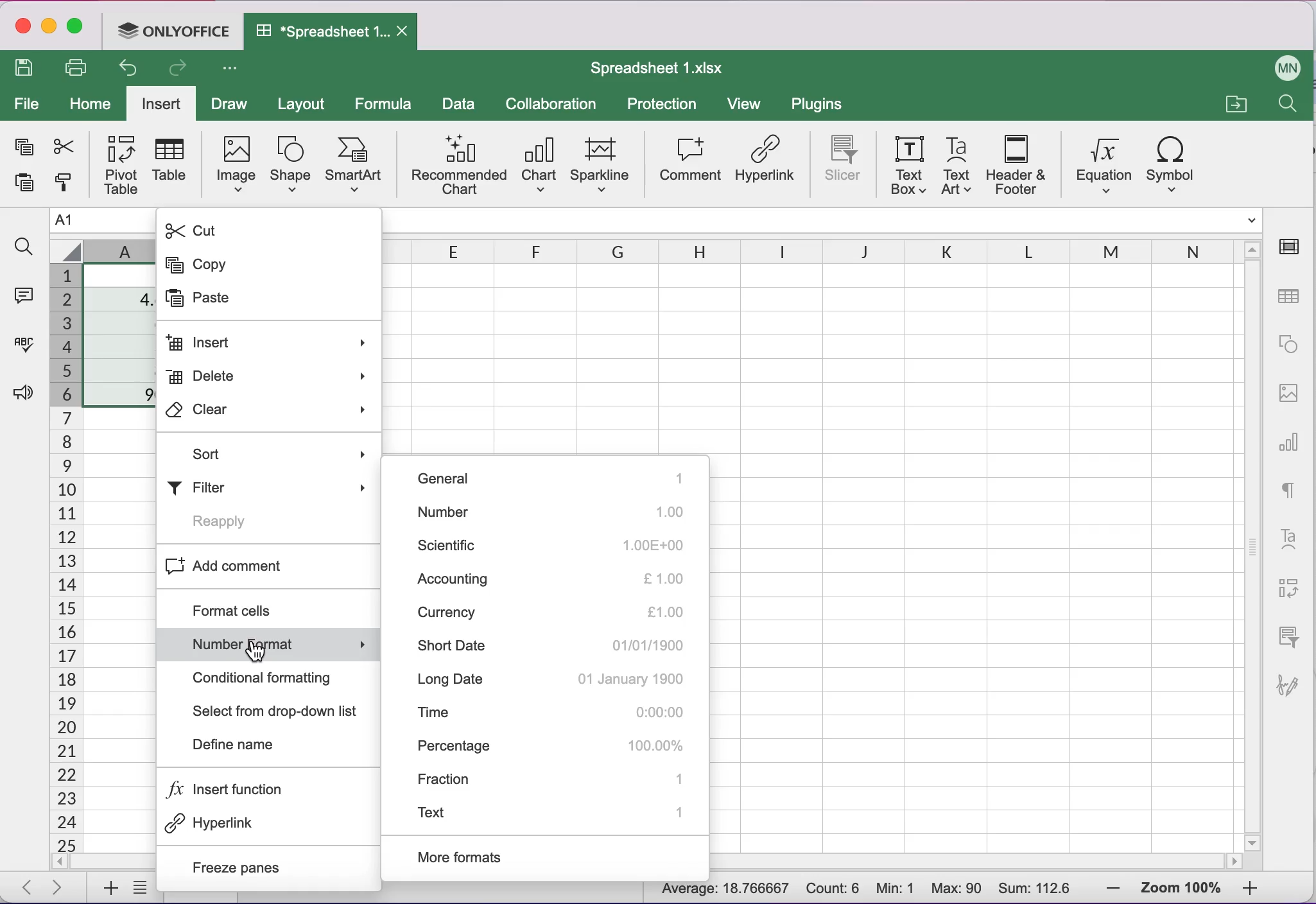  Describe the element at coordinates (956, 166) in the screenshot. I see `text art` at that location.